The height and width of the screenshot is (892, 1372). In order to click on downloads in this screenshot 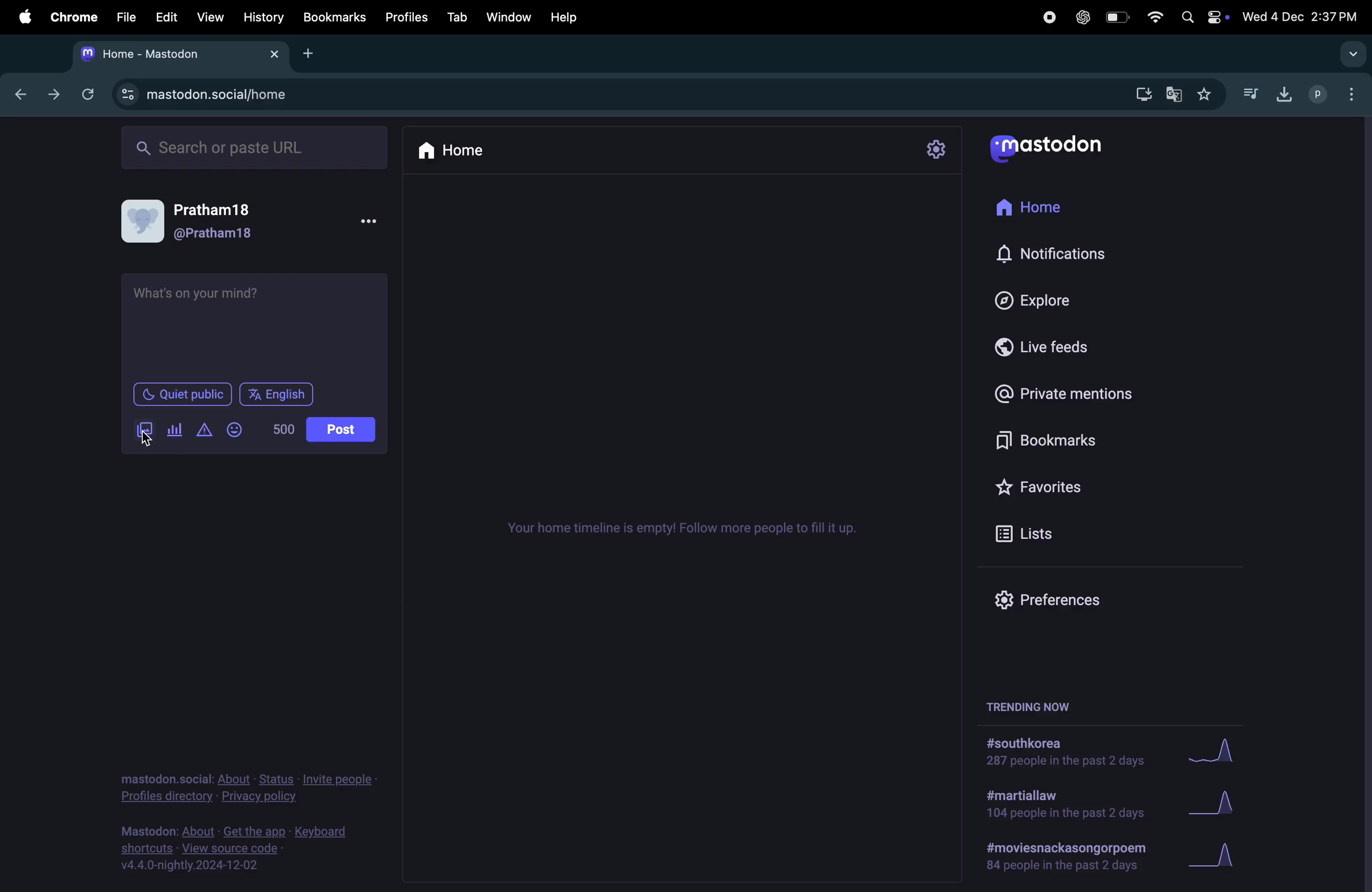, I will do `click(1281, 93)`.